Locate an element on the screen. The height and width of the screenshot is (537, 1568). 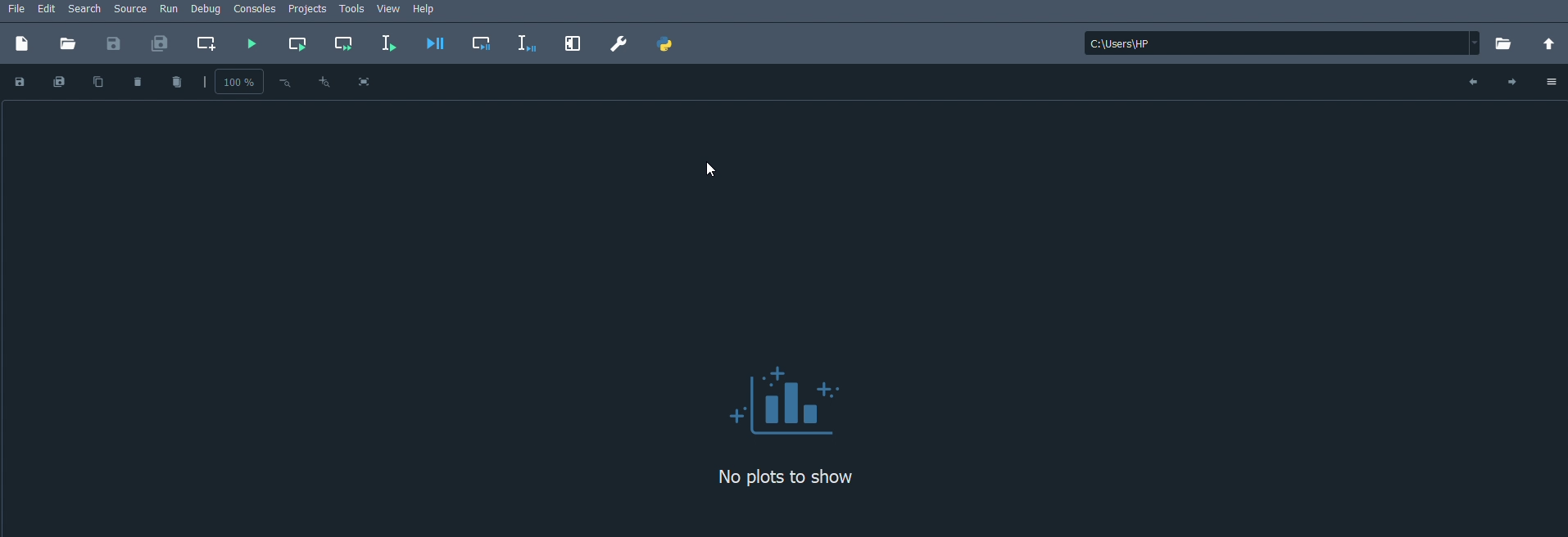
New file is located at coordinates (23, 43).